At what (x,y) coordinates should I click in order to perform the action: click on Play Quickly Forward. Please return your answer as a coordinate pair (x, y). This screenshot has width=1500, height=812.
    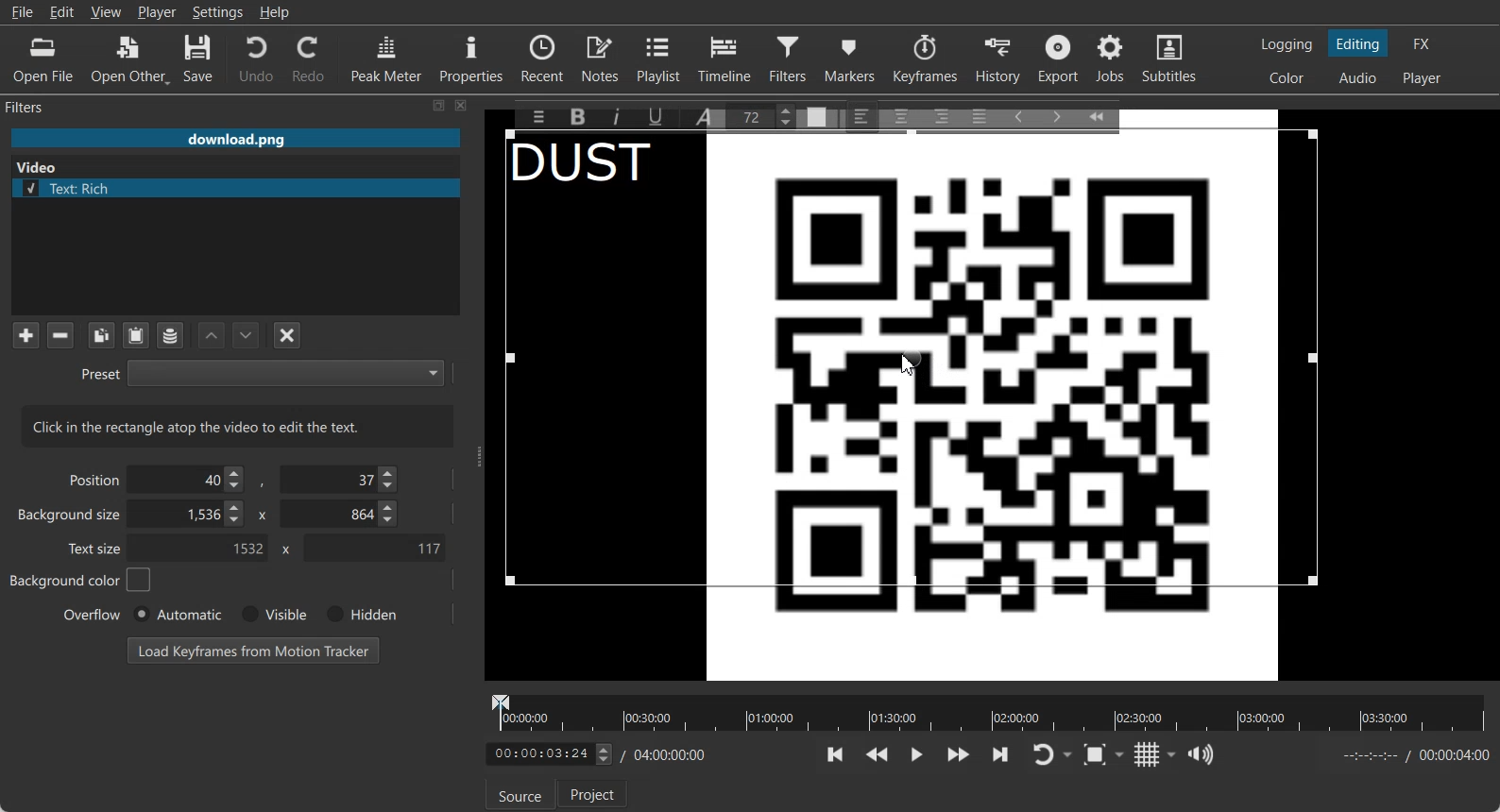
    Looking at the image, I should click on (959, 754).